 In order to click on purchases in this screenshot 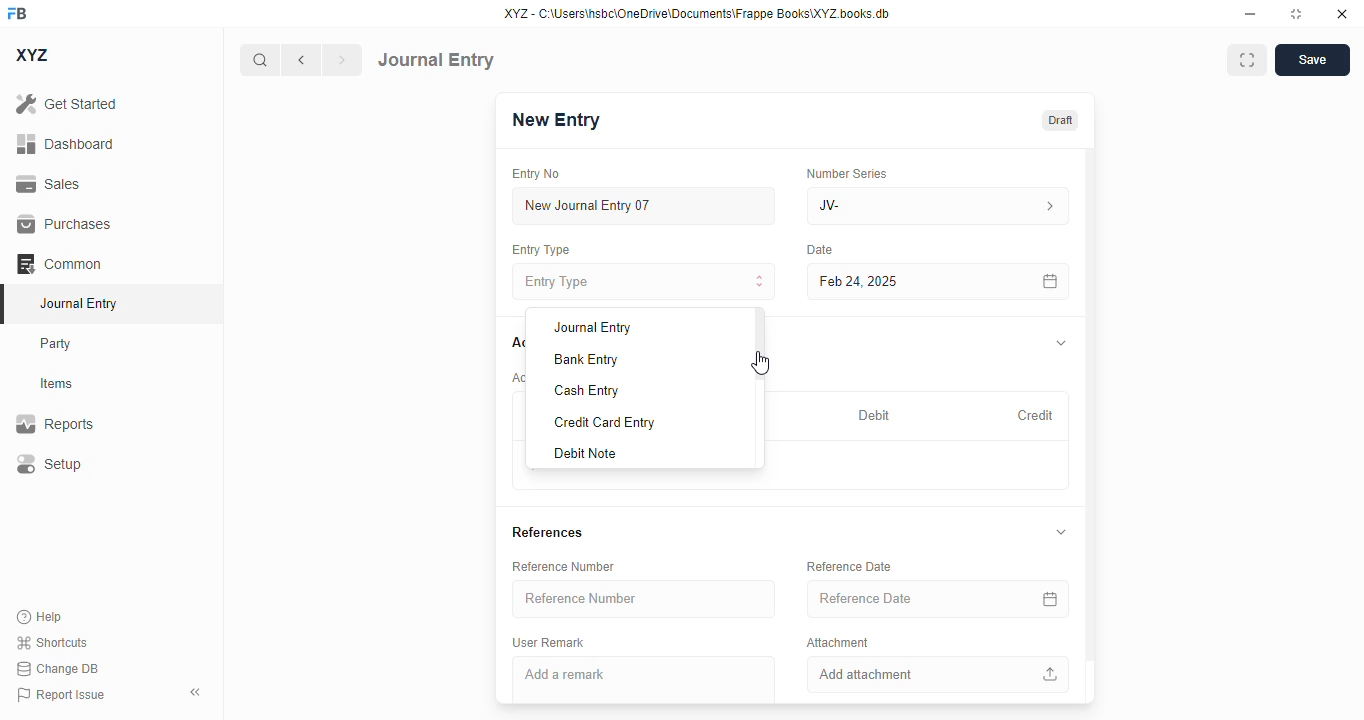, I will do `click(66, 224)`.